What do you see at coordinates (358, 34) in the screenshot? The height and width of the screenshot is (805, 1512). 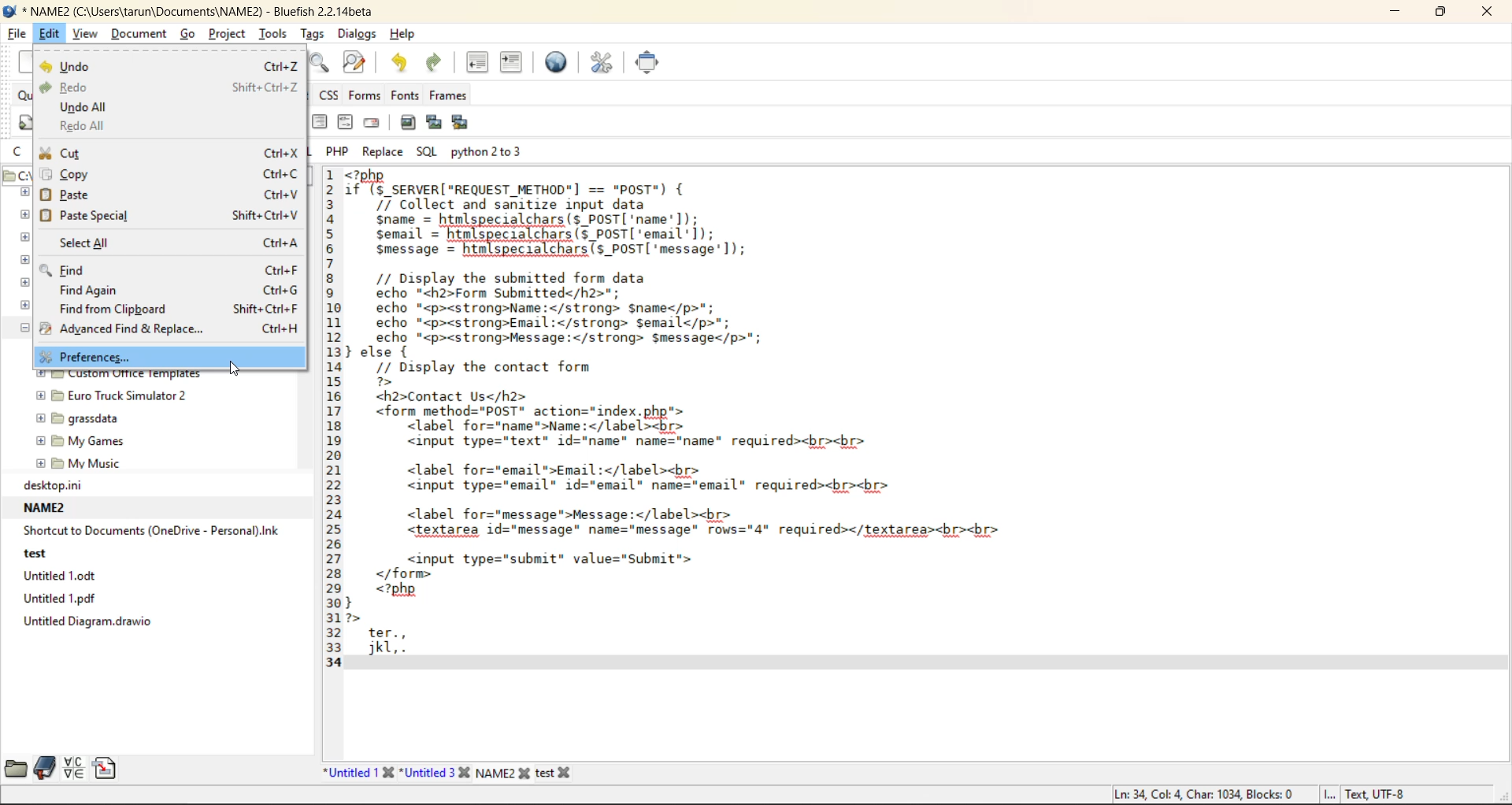 I see `dialogs` at bounding box center [358, 34].